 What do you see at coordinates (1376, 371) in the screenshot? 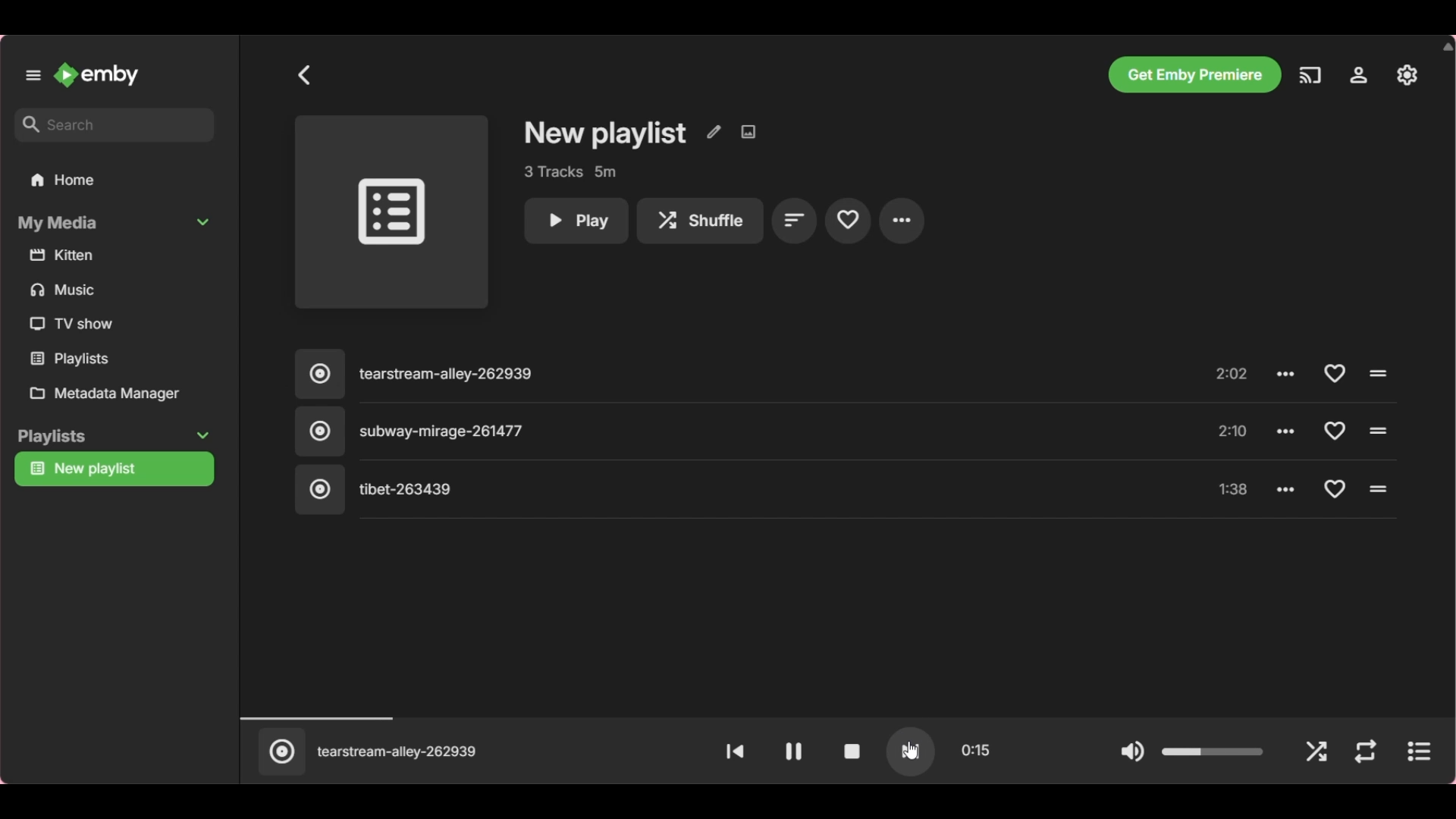
I see `Click to play ` at bounding box center [1376, 371].